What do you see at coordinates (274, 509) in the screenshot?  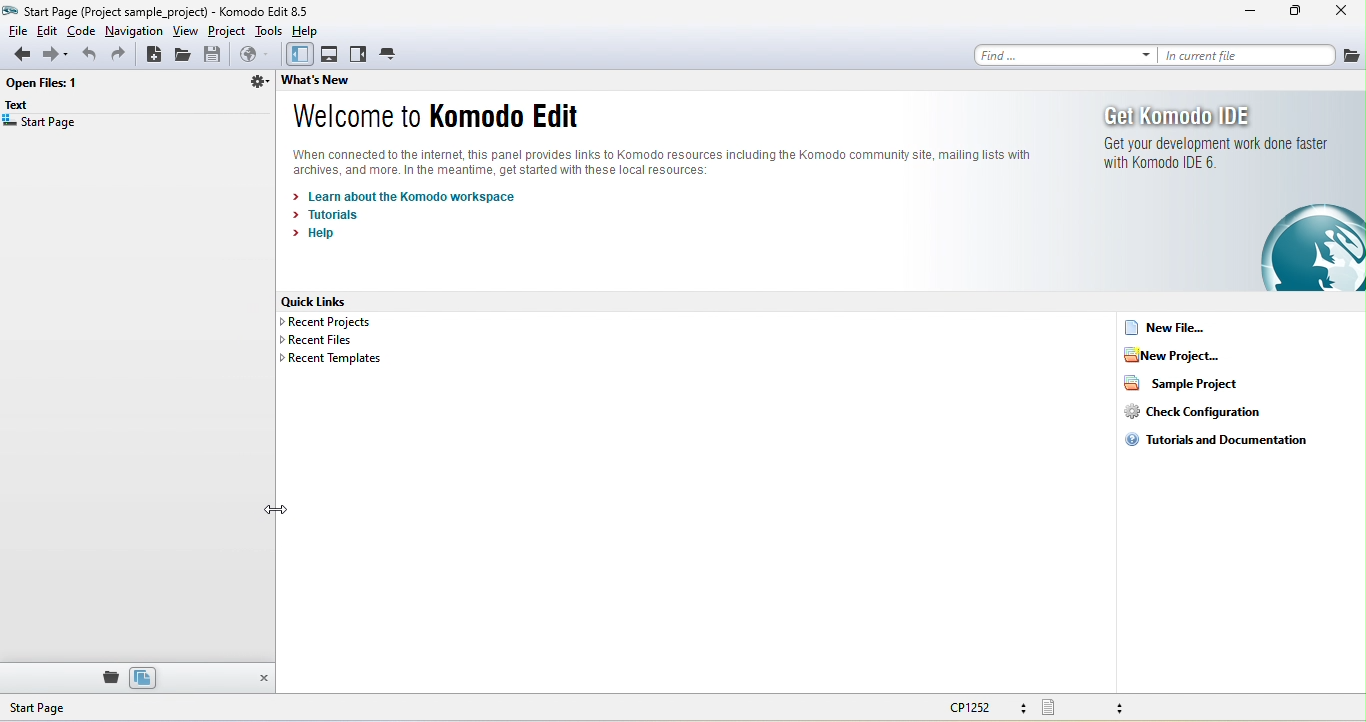 I see `cursor movement` at bounding box center [274, 509].